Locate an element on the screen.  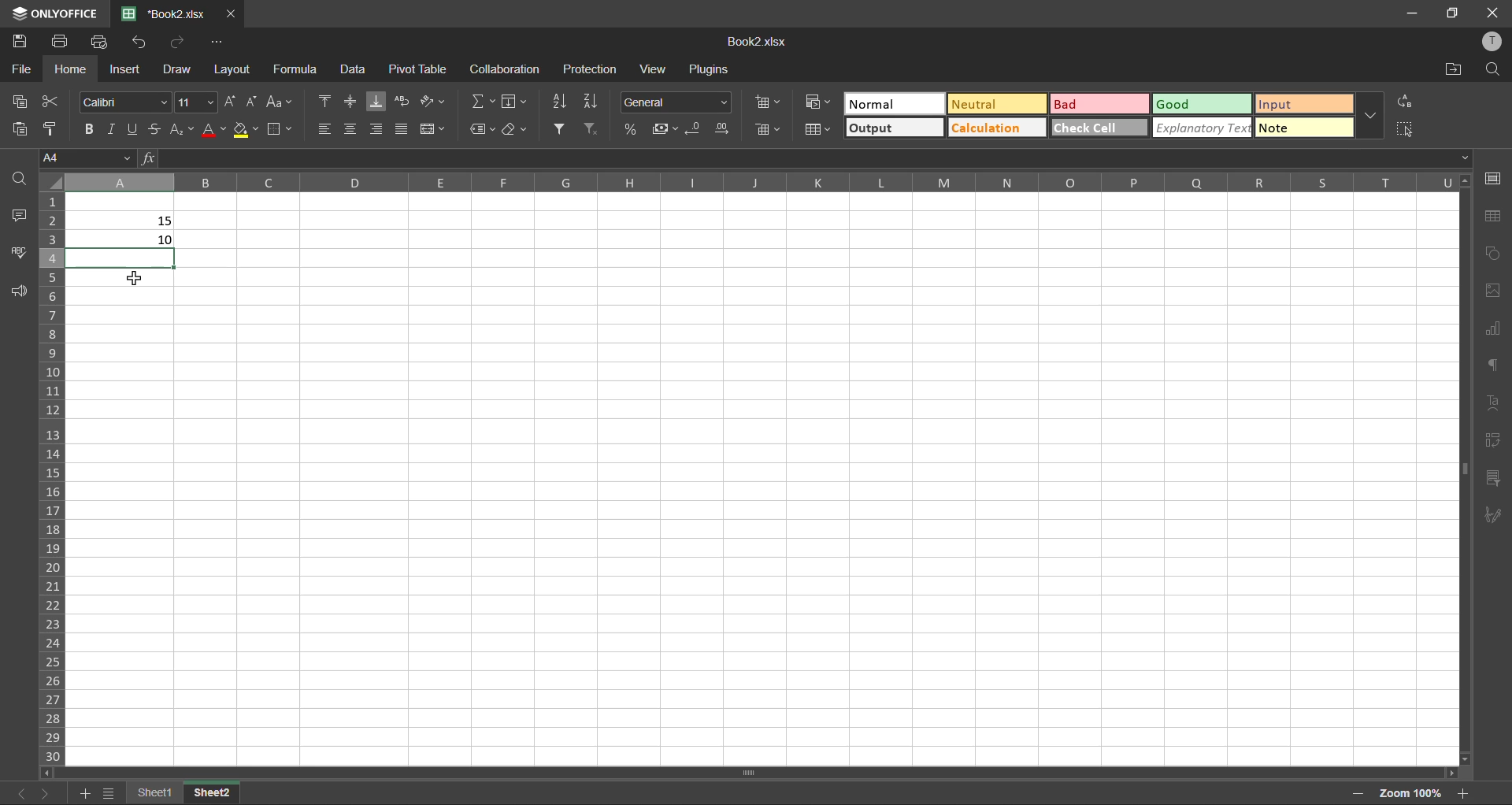
find is located at coordinates (22, 178).